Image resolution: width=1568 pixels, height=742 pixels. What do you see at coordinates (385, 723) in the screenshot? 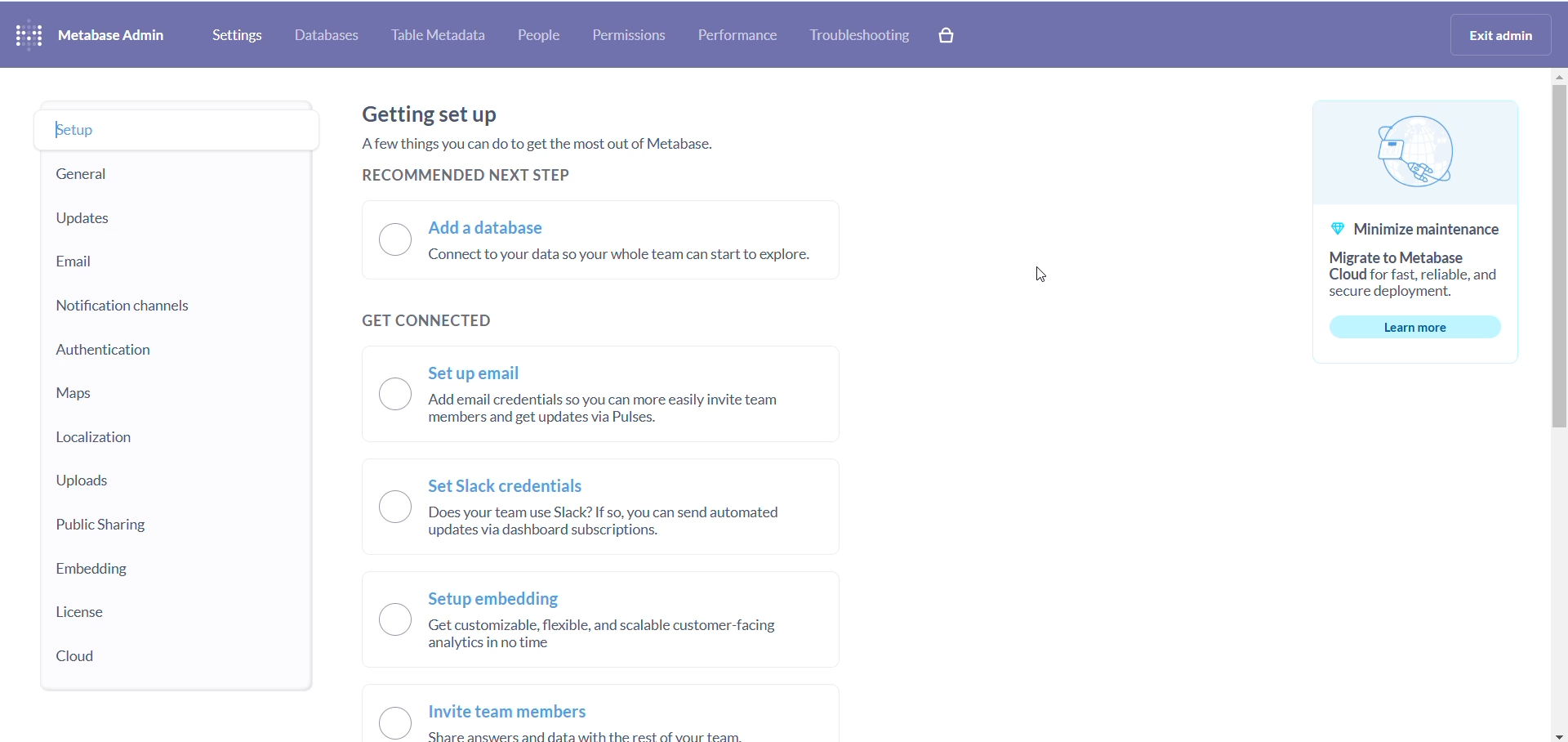
I see `invite team members radio button` at bounding box center [385, 723].